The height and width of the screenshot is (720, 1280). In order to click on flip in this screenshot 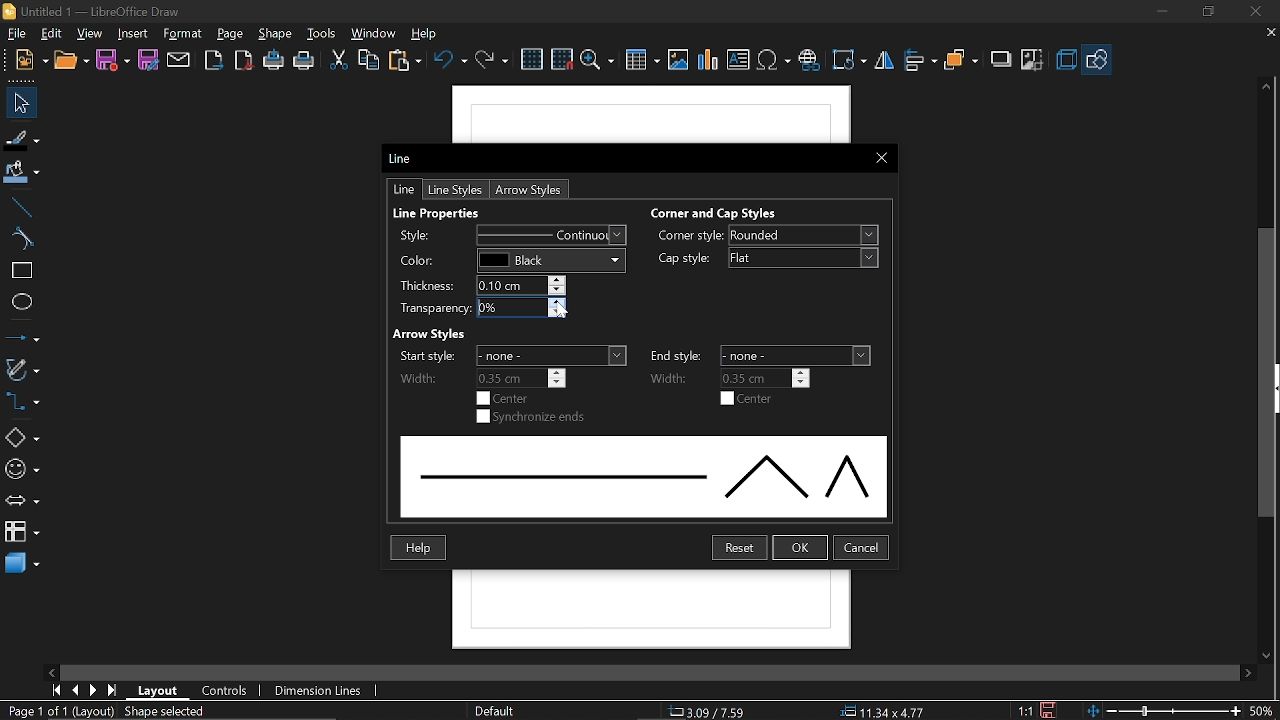, I will do `click(884, 61)`.